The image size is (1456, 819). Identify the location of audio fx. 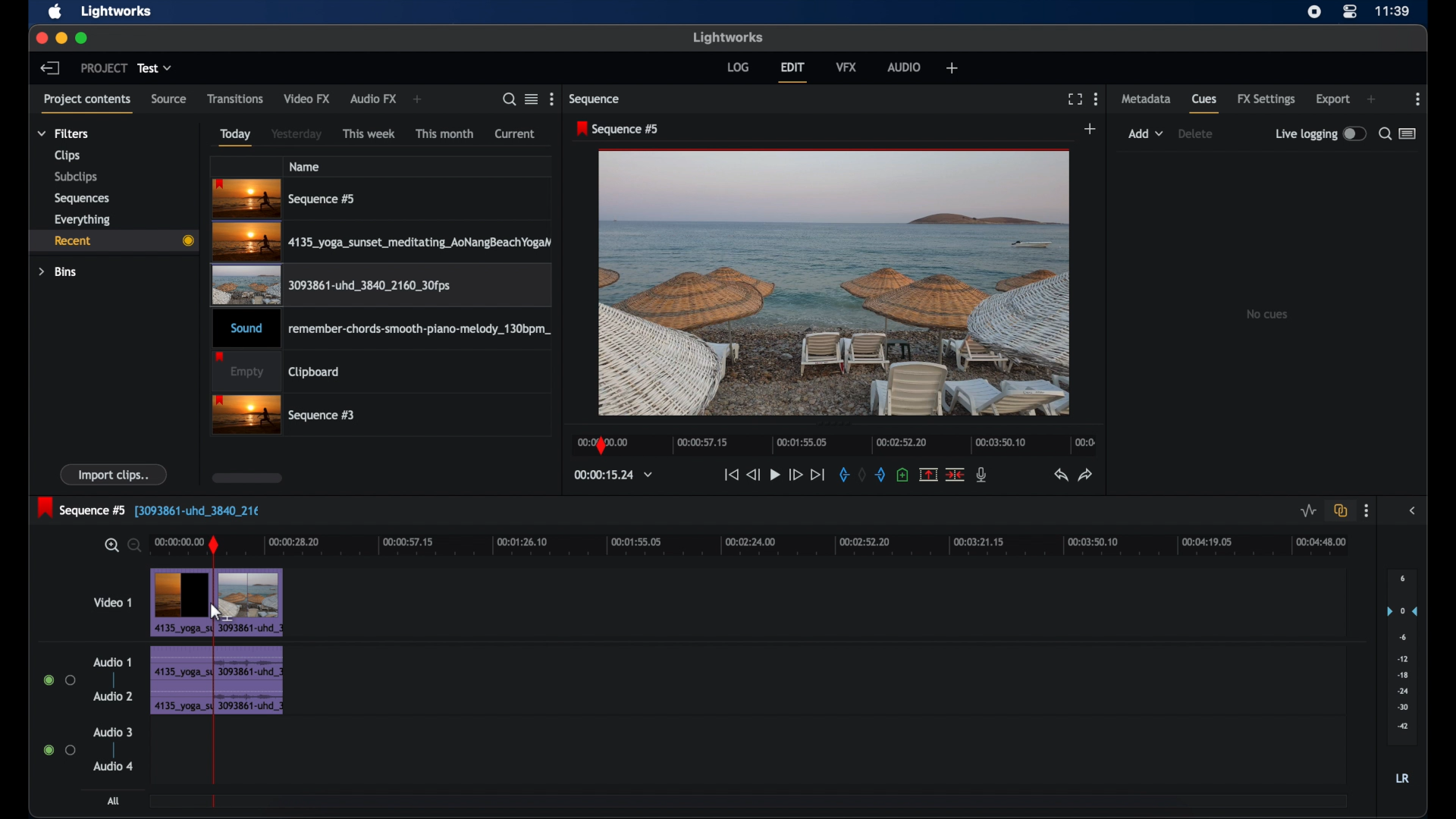
(372, 99).